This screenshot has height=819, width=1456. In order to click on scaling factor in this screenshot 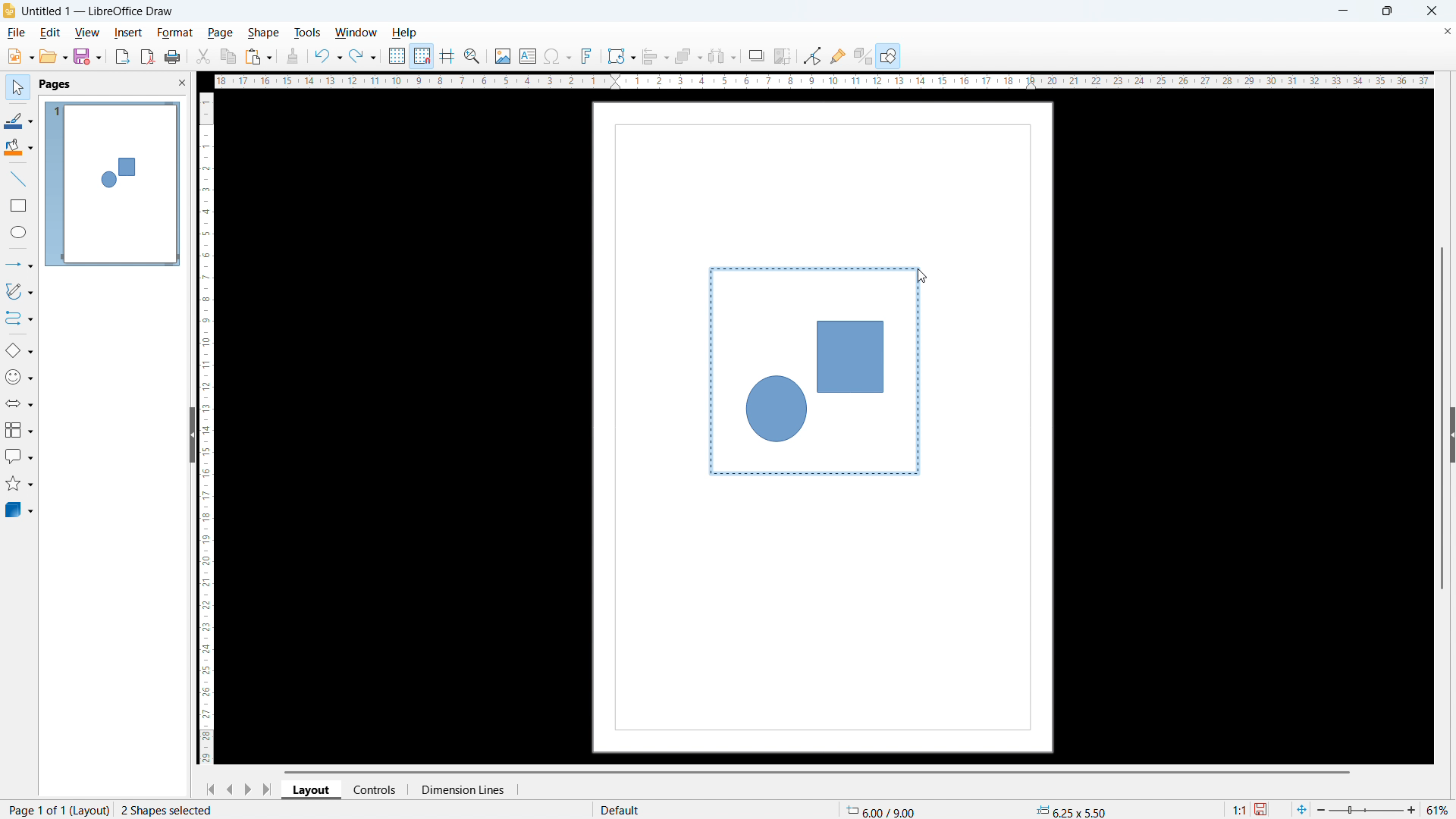, I will do `click(1241, 809)`.